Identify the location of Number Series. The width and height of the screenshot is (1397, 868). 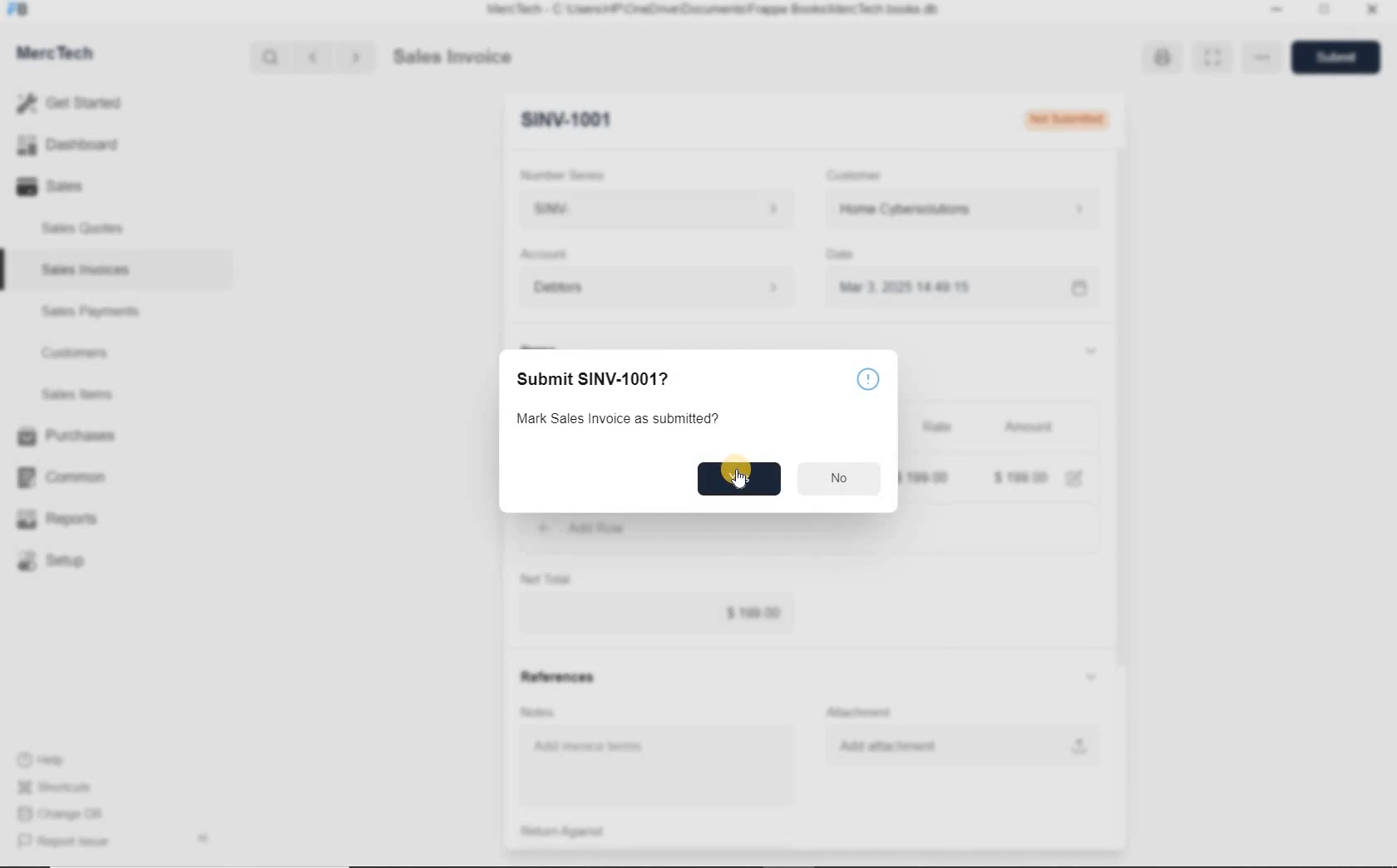
(568, 175).